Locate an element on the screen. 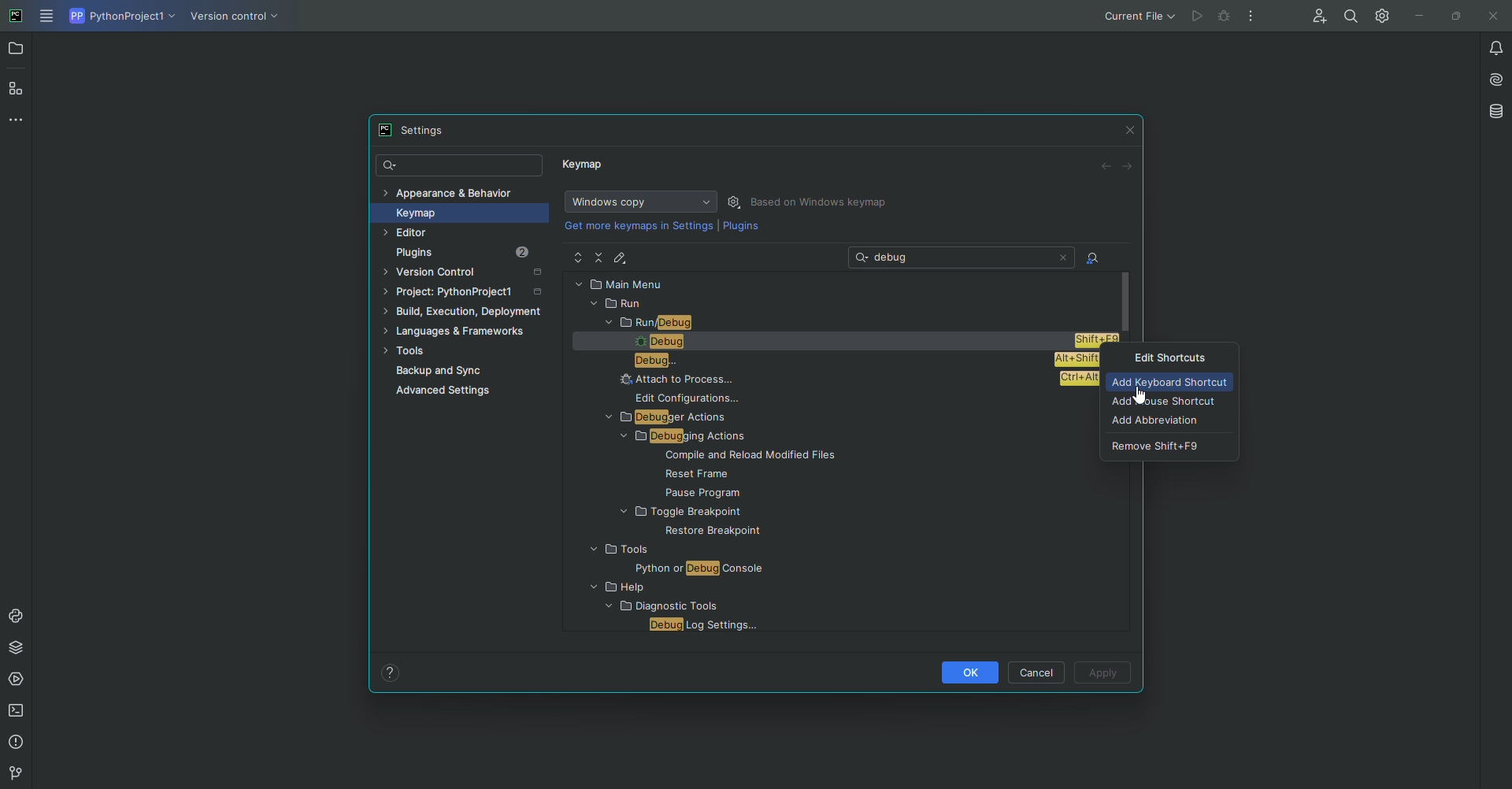 Image resolution: width=1512 pixels, height=789 pixels. ATTACH TO PROCESS is located at coordinates (836, 379).